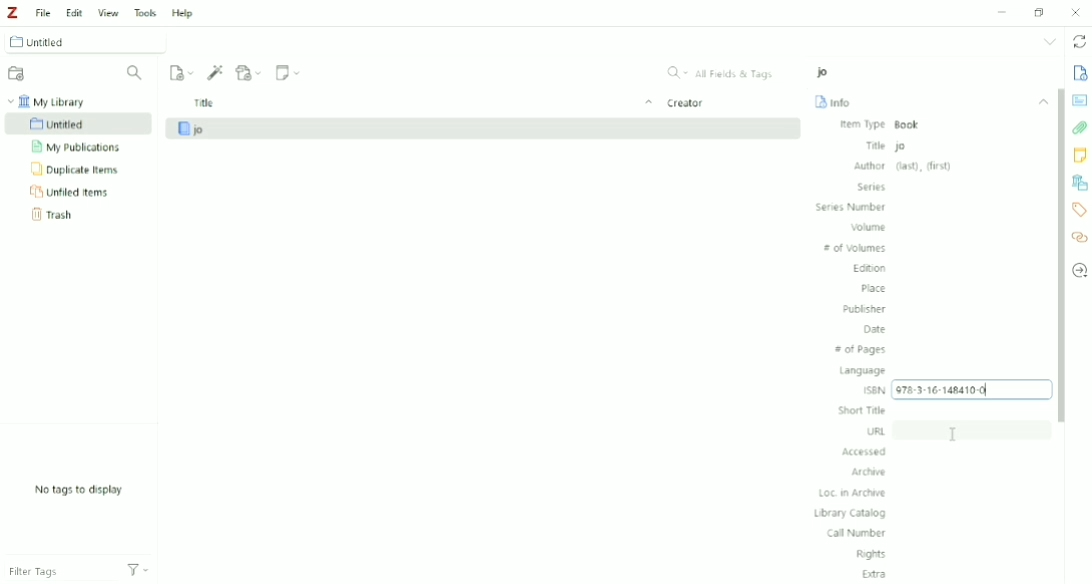 This screenshot has width=1092, height=584. I want to click on # of Pages, so click(861, 349).